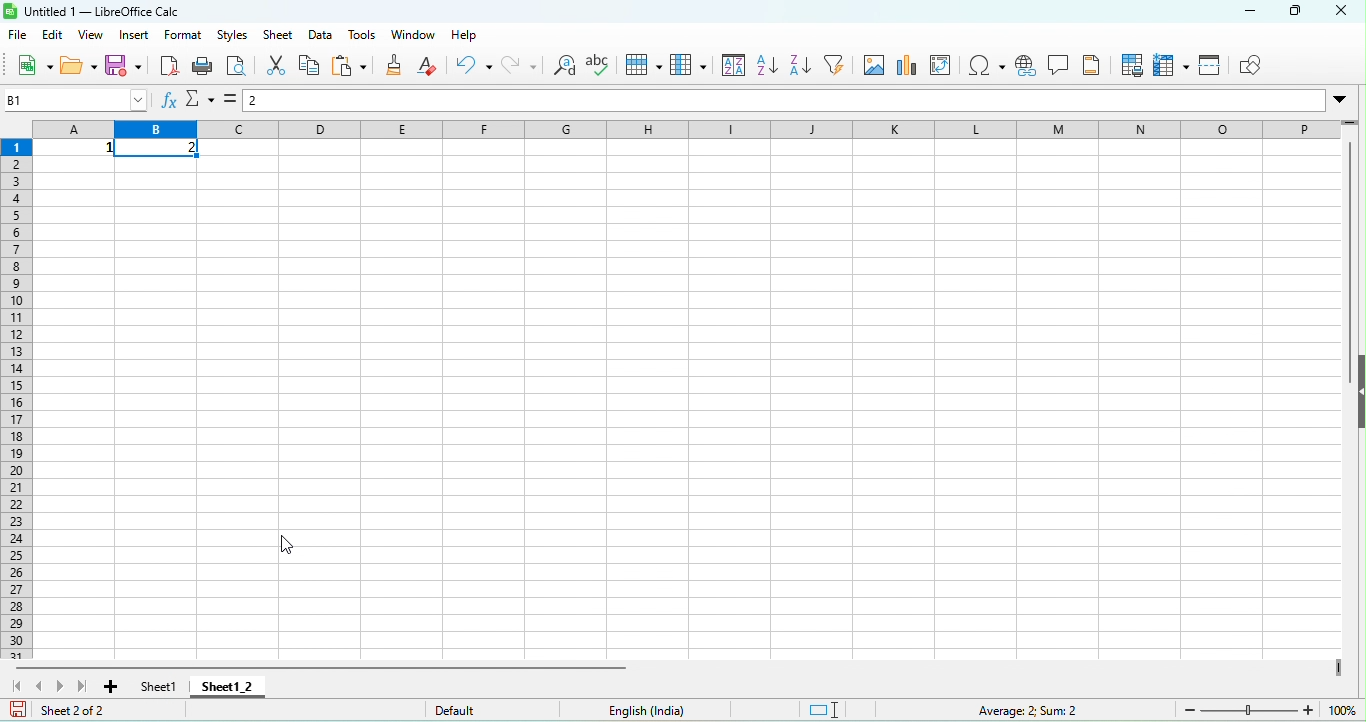 The image size is (1366, 722). Describe the element at coordinates (288, 545) in the screenshot. I see `cursor` at that location.